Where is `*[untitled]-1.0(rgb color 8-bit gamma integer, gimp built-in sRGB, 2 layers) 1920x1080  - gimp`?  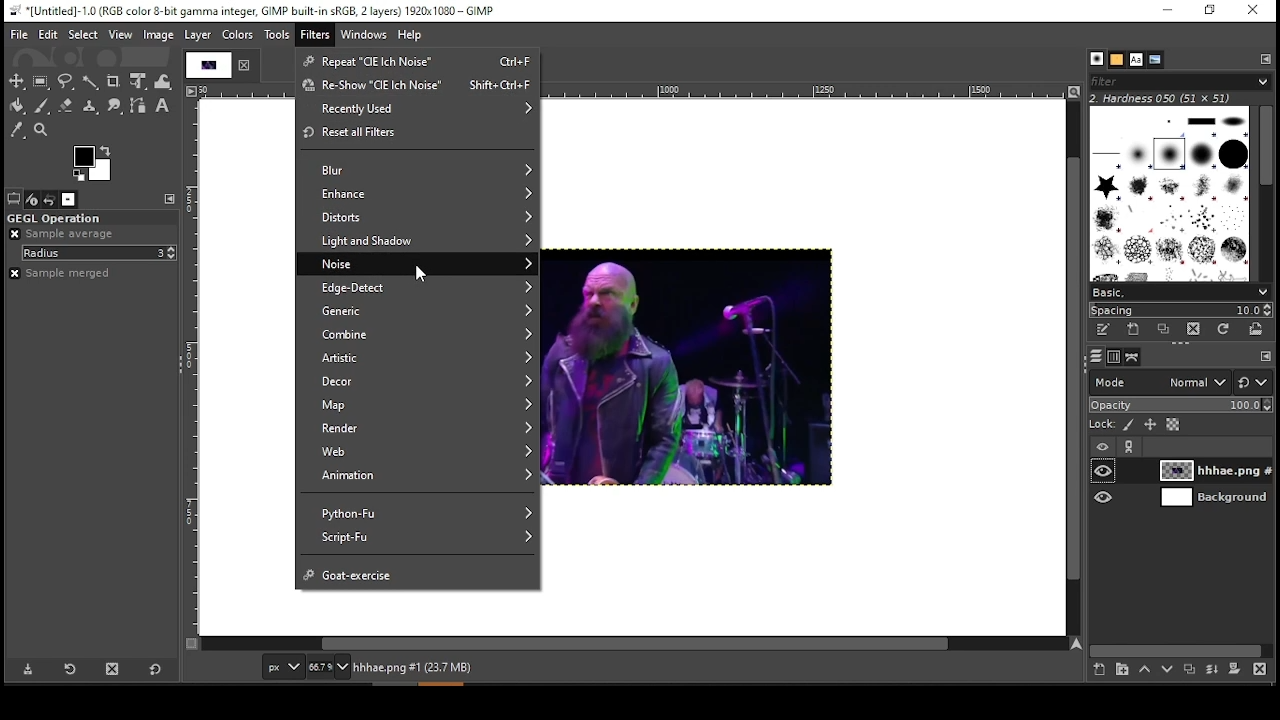 *[untitled]-1.0(rgb color 8-bit gamma integer, gimp built-in sRGB, 2 layers) 1920x1080  - gimp is located at coordinates (253, 10).